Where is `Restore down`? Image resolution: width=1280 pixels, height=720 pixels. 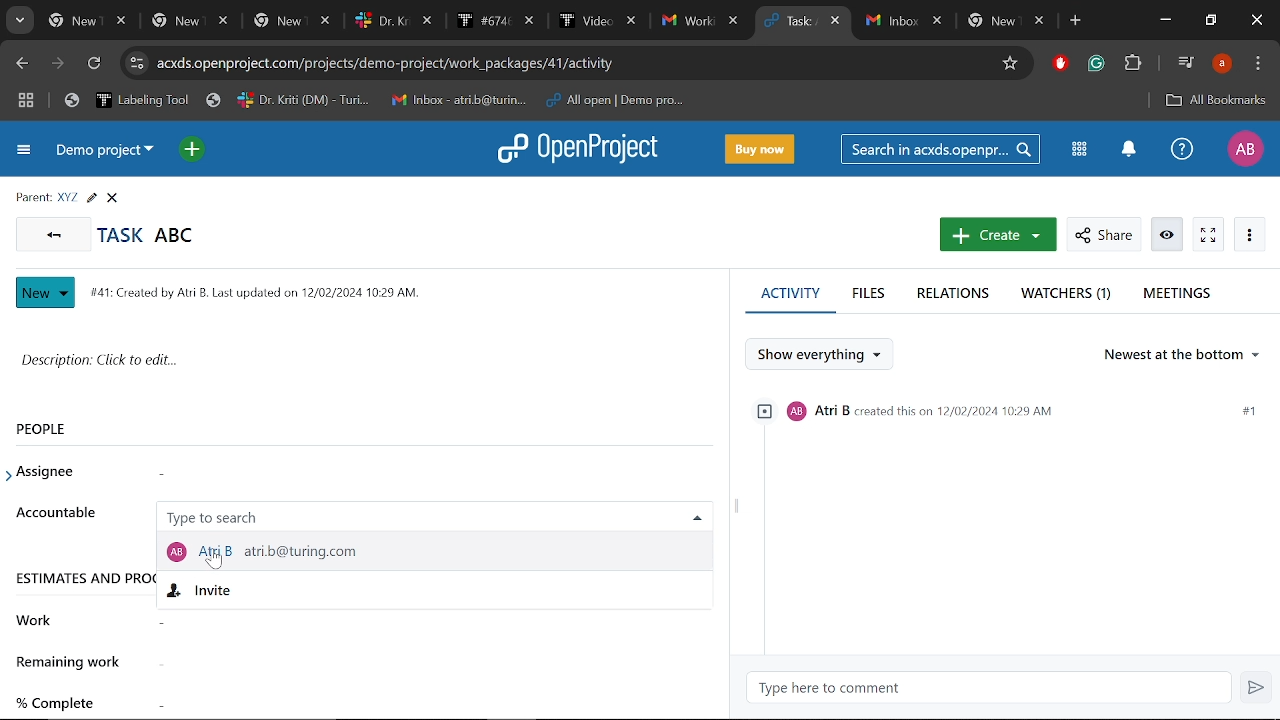
Restore down is located at coordinates (1210, 19).